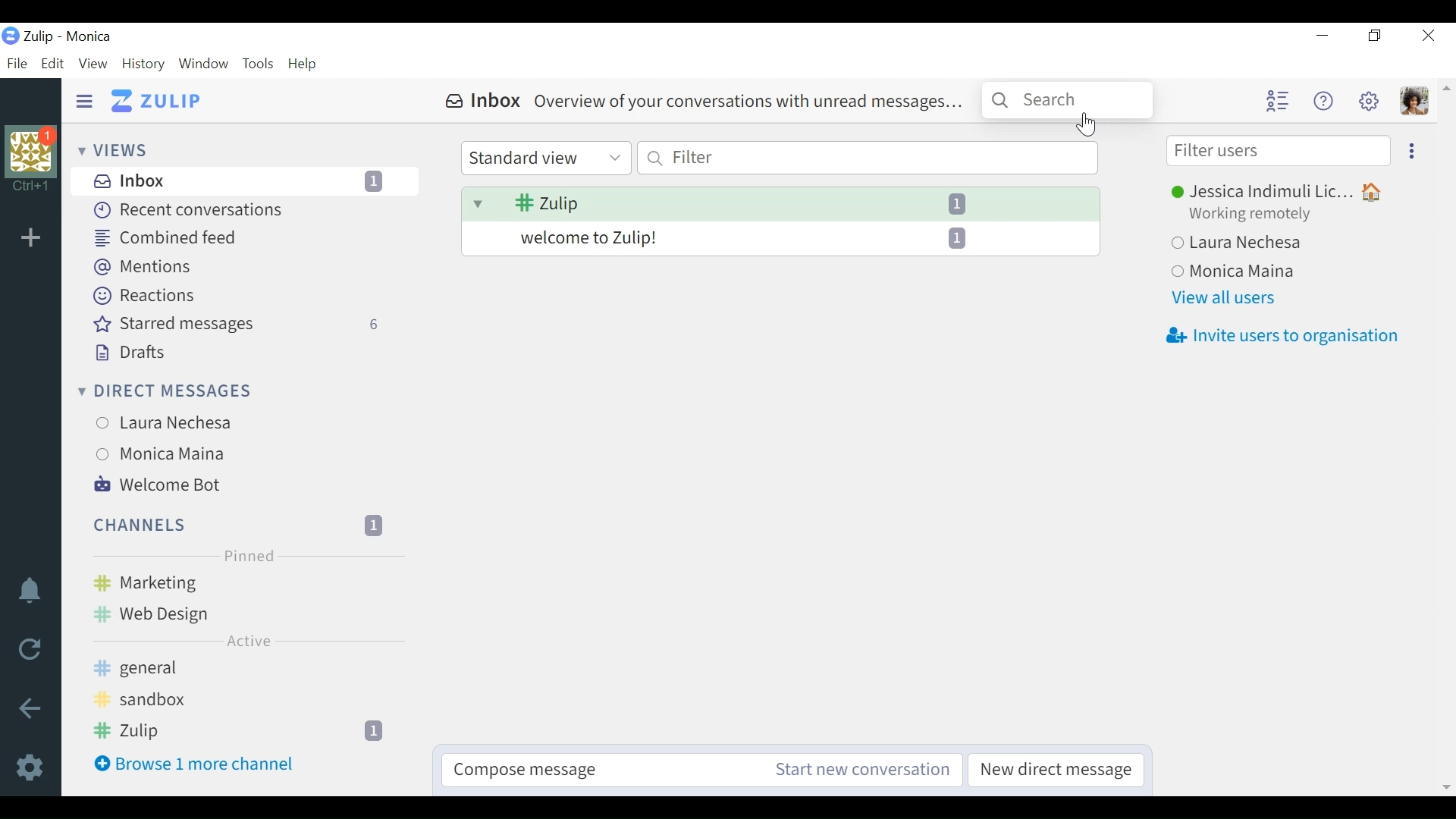 This screenshot has height=819, width=1456. Describe the element at coordinates (1090, 124) in the screenshot. I see `Cursor` at that location.